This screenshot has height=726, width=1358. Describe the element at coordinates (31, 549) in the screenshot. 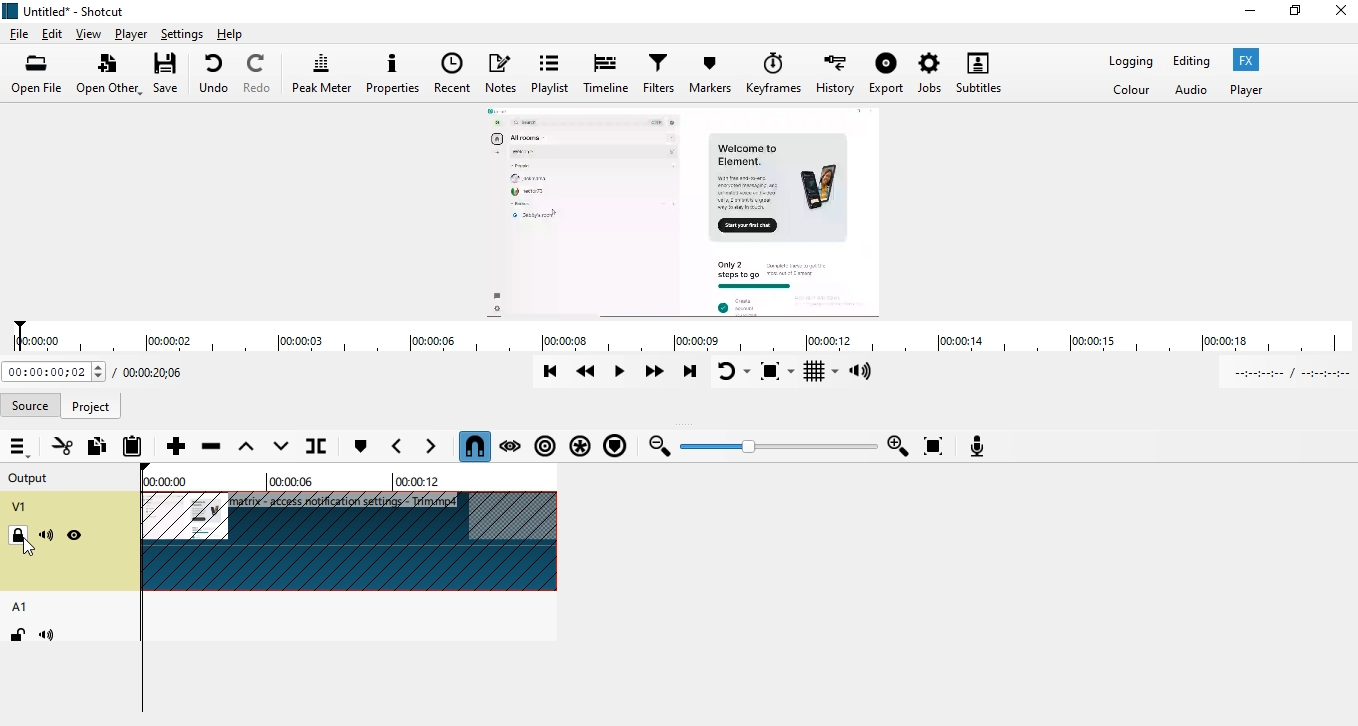

I see `cursor` at that location.